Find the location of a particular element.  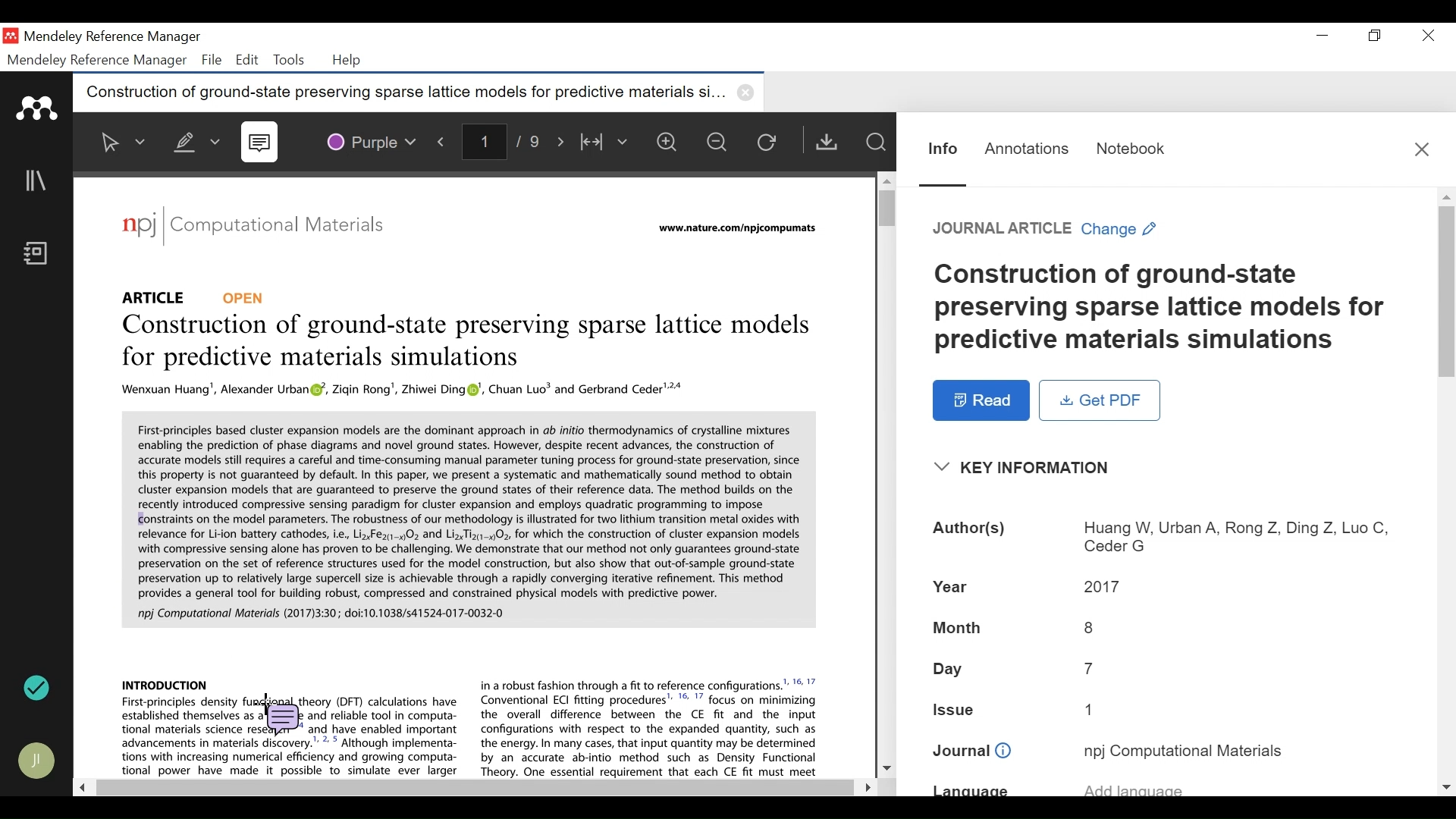

Find in Files is located at coordinates (877, 143).